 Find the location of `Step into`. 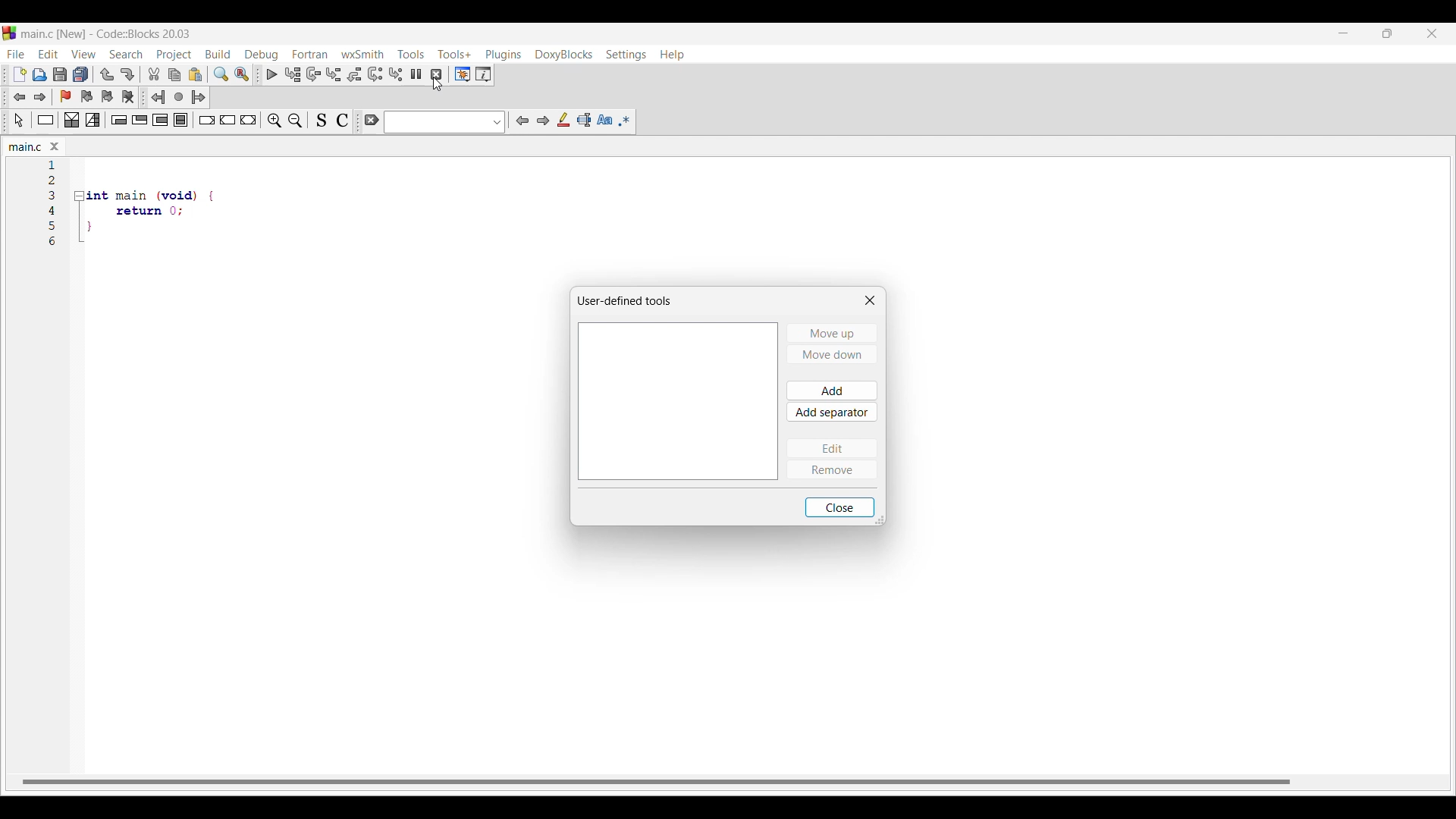

Step into is located at coordinates (334, 74).